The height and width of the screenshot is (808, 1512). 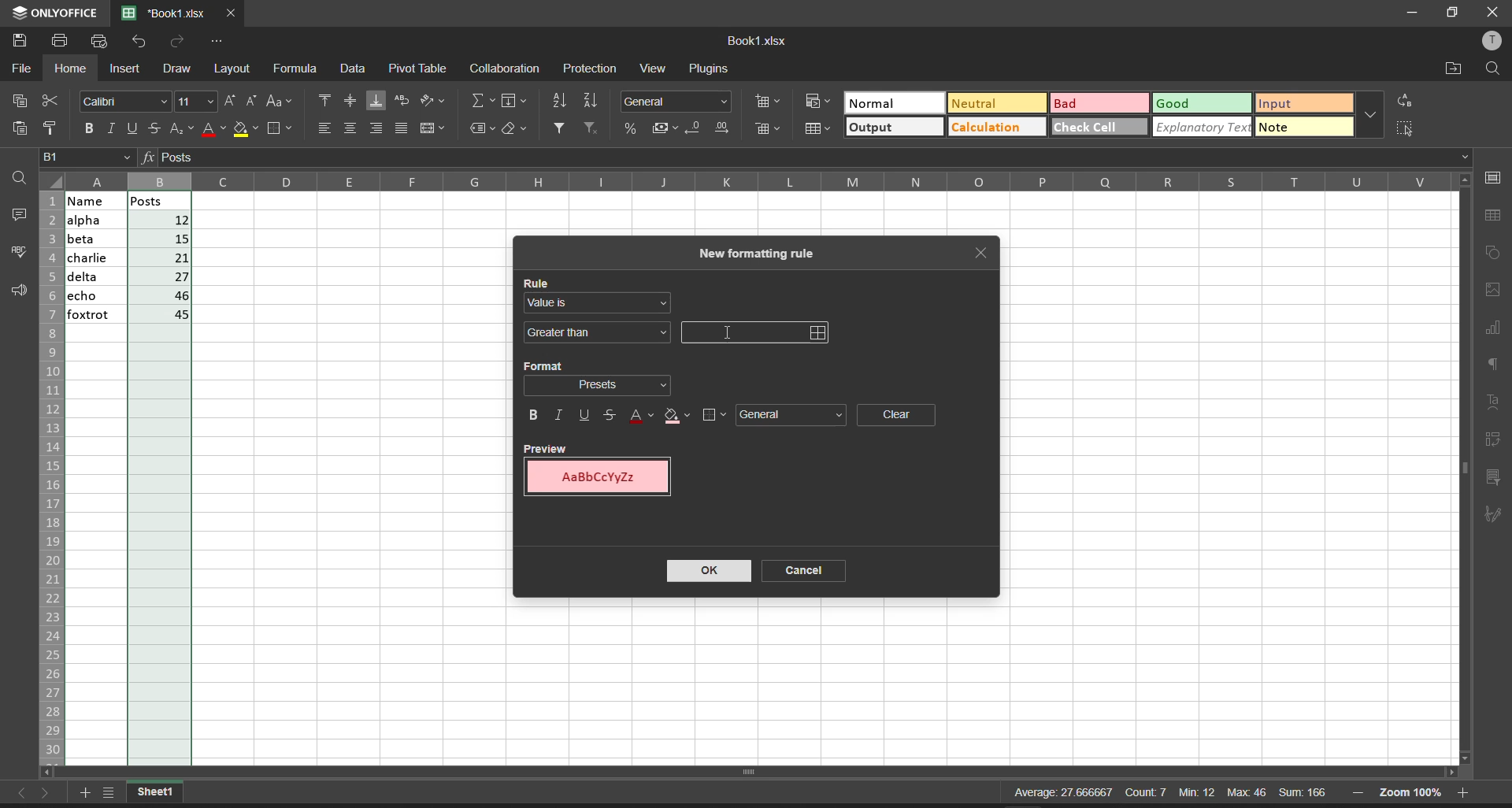 What do you see at coordinates (980, 252) in the screenshot?
I see `close tab` at bounding box center [980, 252].